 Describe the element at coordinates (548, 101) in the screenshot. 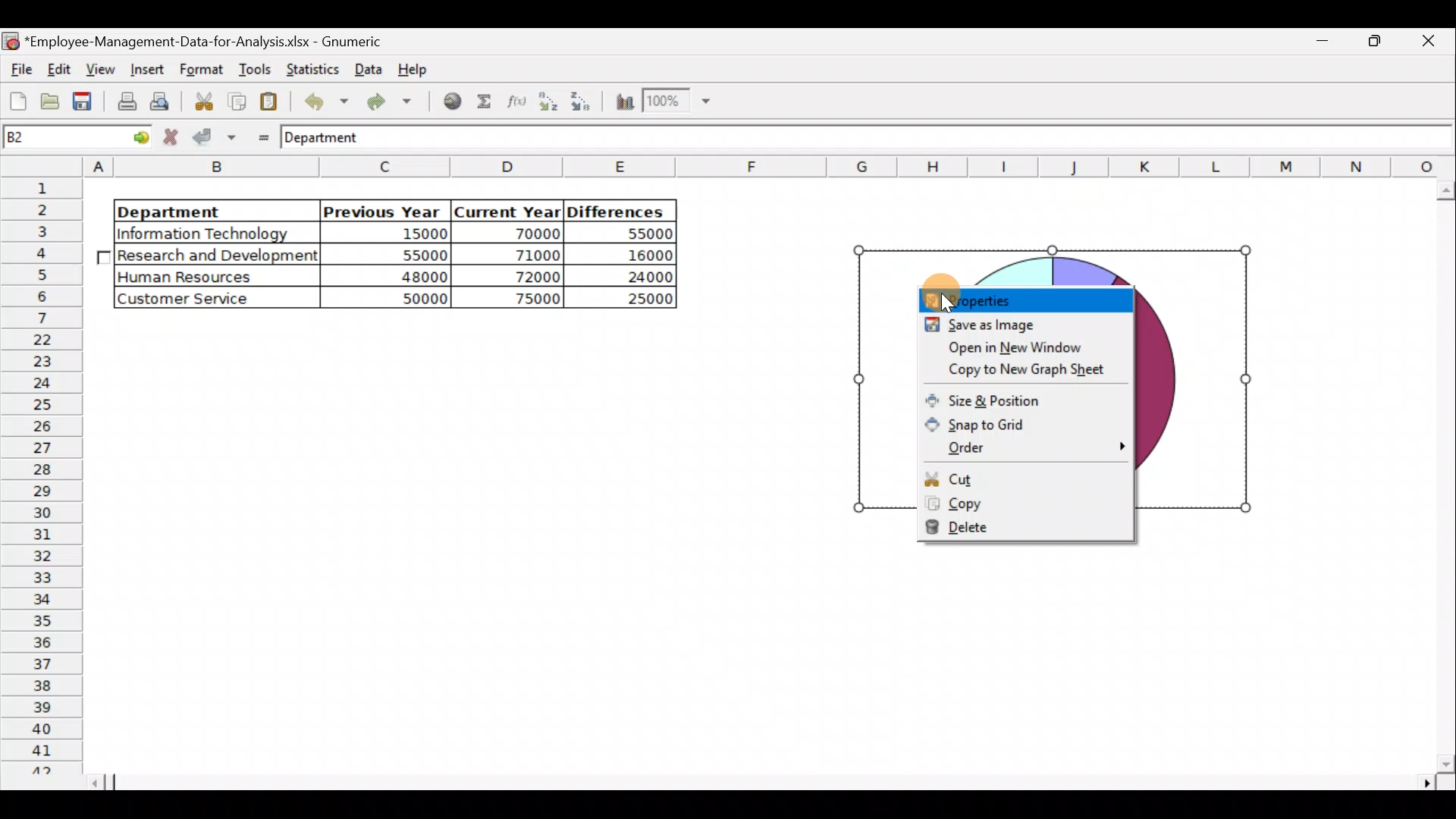

I see `Sort in Ascending order` at that location.